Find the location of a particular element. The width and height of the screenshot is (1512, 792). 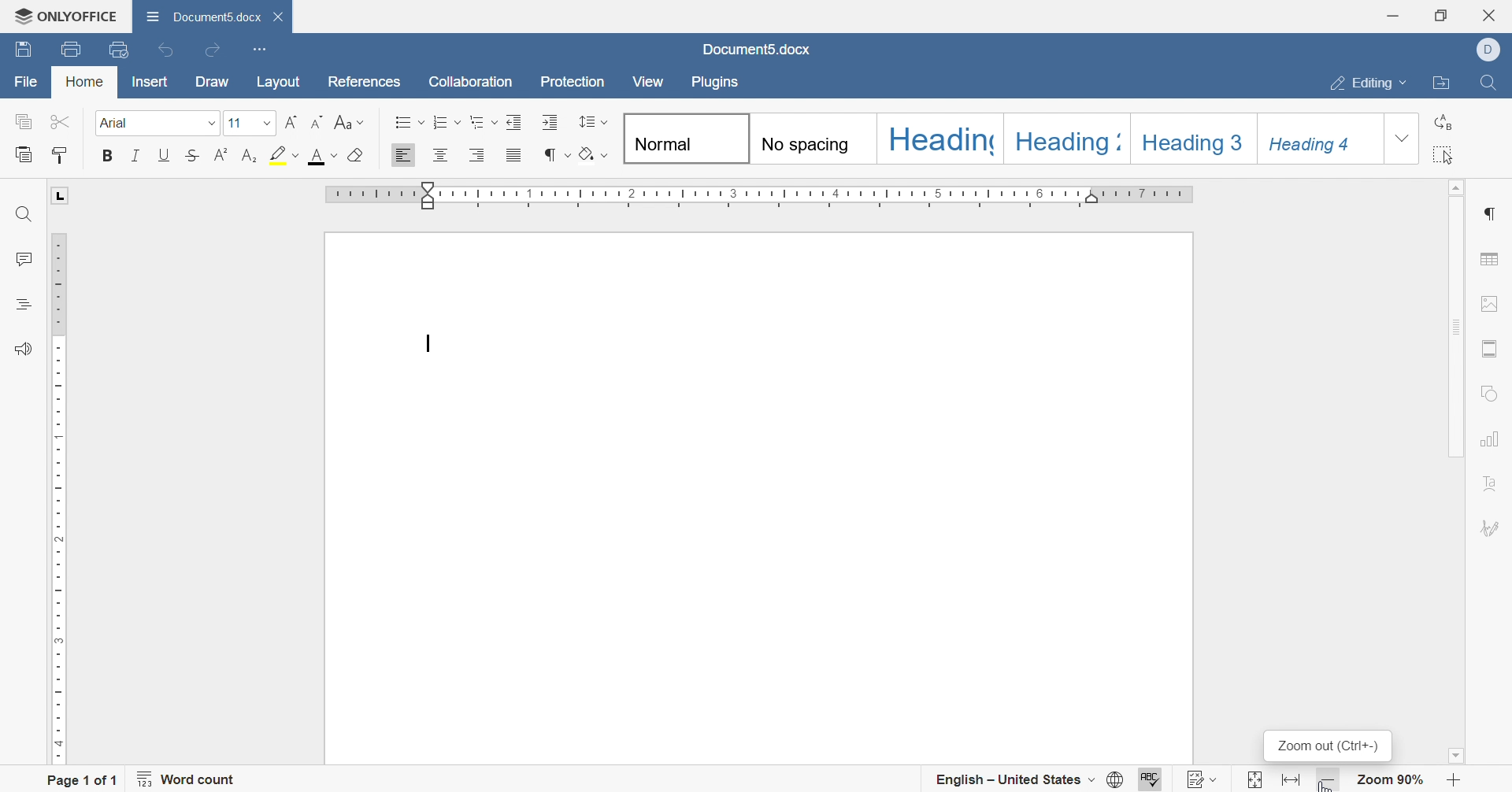

fit to page is located at coordinates (1251, 781).